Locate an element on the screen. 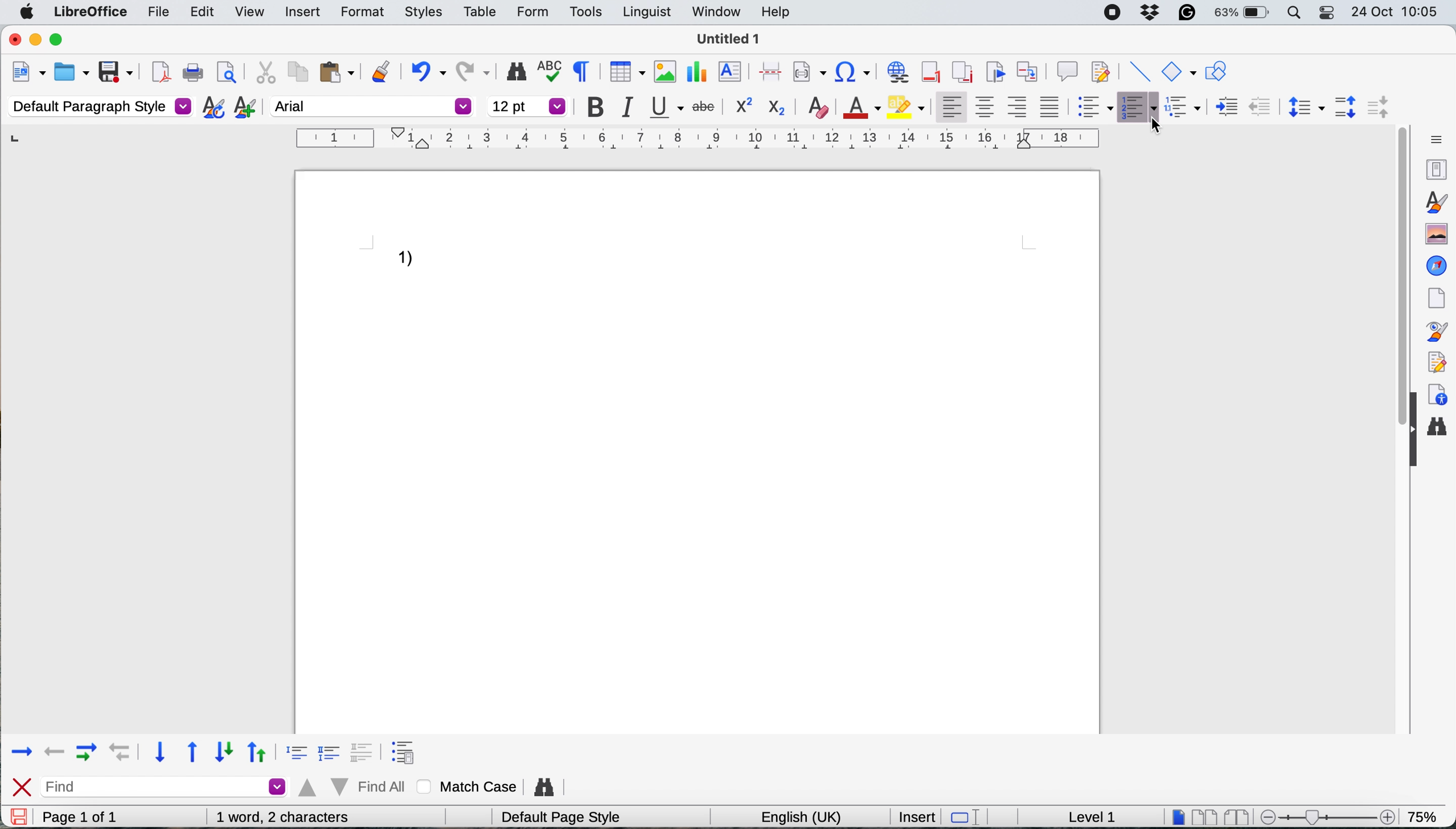 This screenshot has width=1456, height=829. find and replace is located at coordinates (548, 784).